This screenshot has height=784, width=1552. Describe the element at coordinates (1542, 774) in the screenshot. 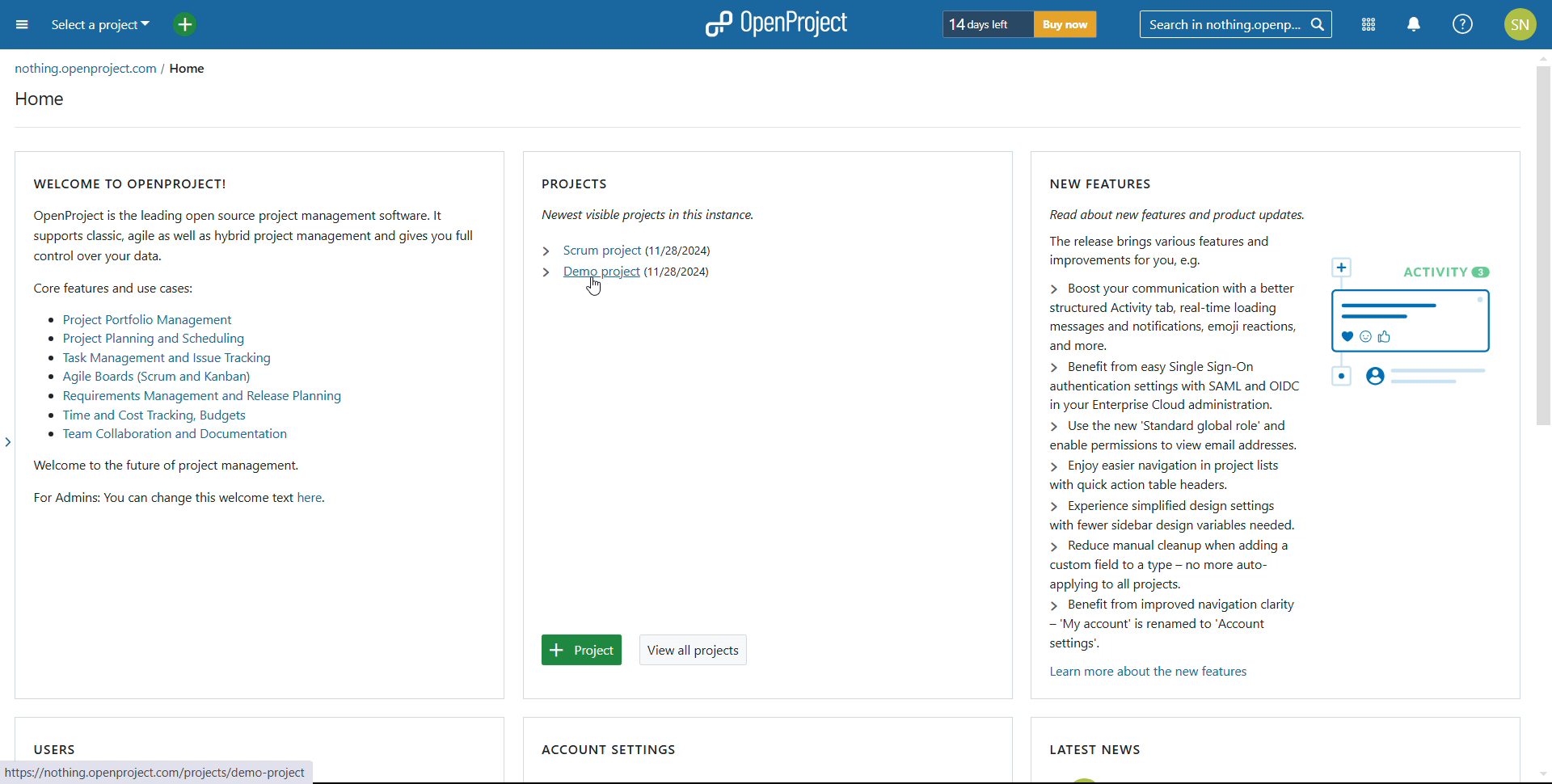

I see `scroll down` at that location.